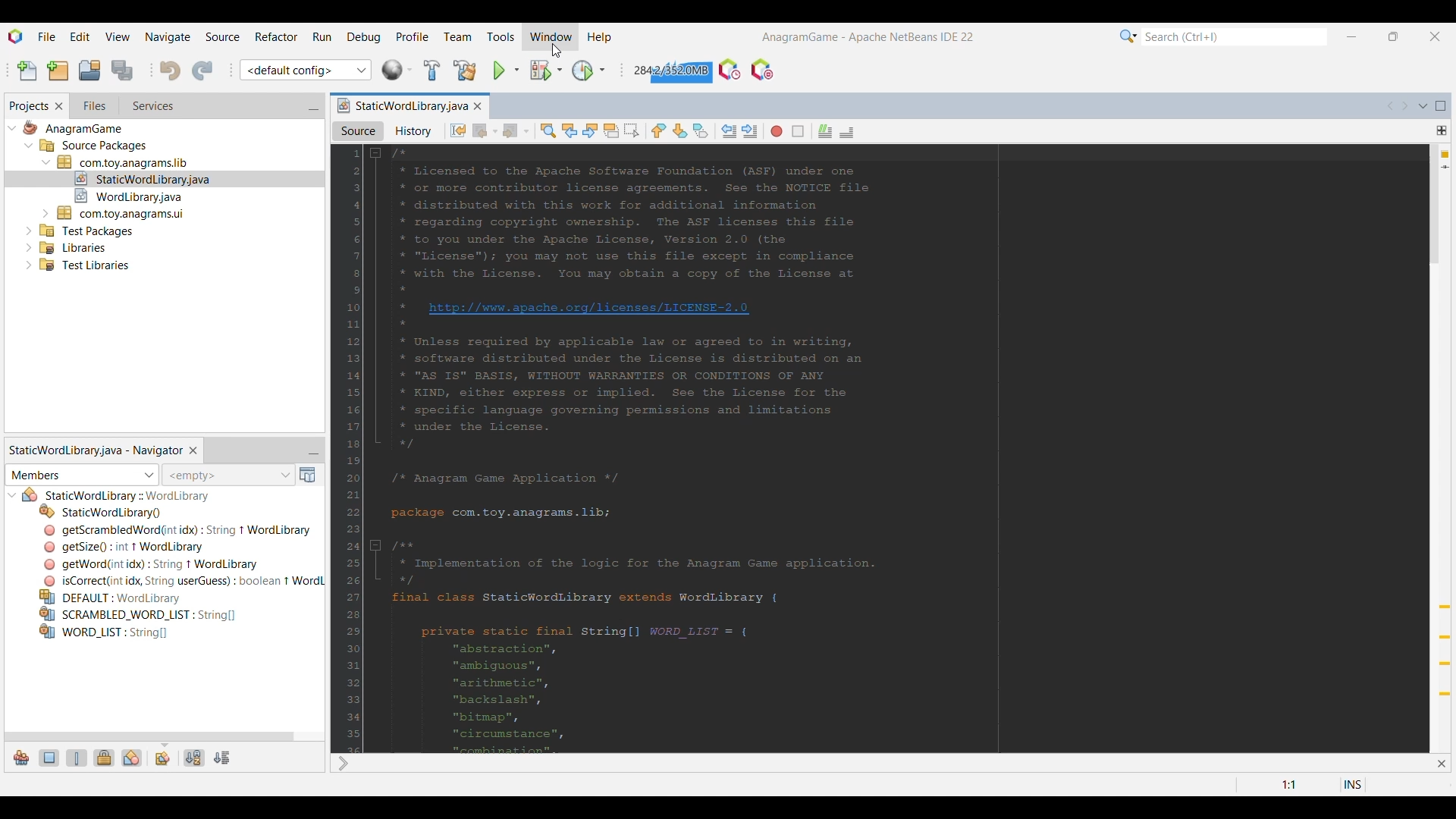 Image resolution: width=1456 pixels, height=819 pixels. What do you see at coordinates (364, 36) in the screenshot?
I see `Debug menu` at bounding box center [364, 36].